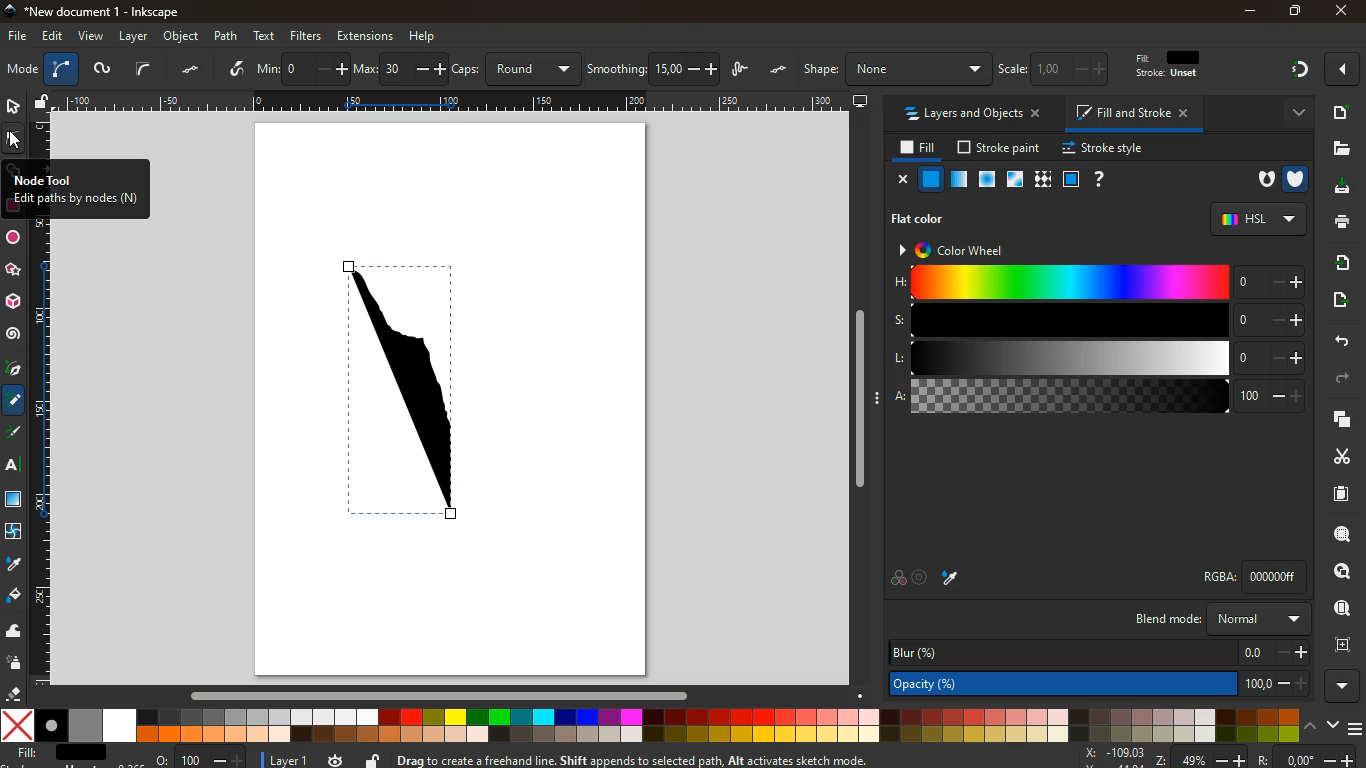 The height and width of the screenshot is (768, 1366). What do you see at coordinates (1298, 177) in the screenshot?
I see `shield` at bounding box center [1298, 177].